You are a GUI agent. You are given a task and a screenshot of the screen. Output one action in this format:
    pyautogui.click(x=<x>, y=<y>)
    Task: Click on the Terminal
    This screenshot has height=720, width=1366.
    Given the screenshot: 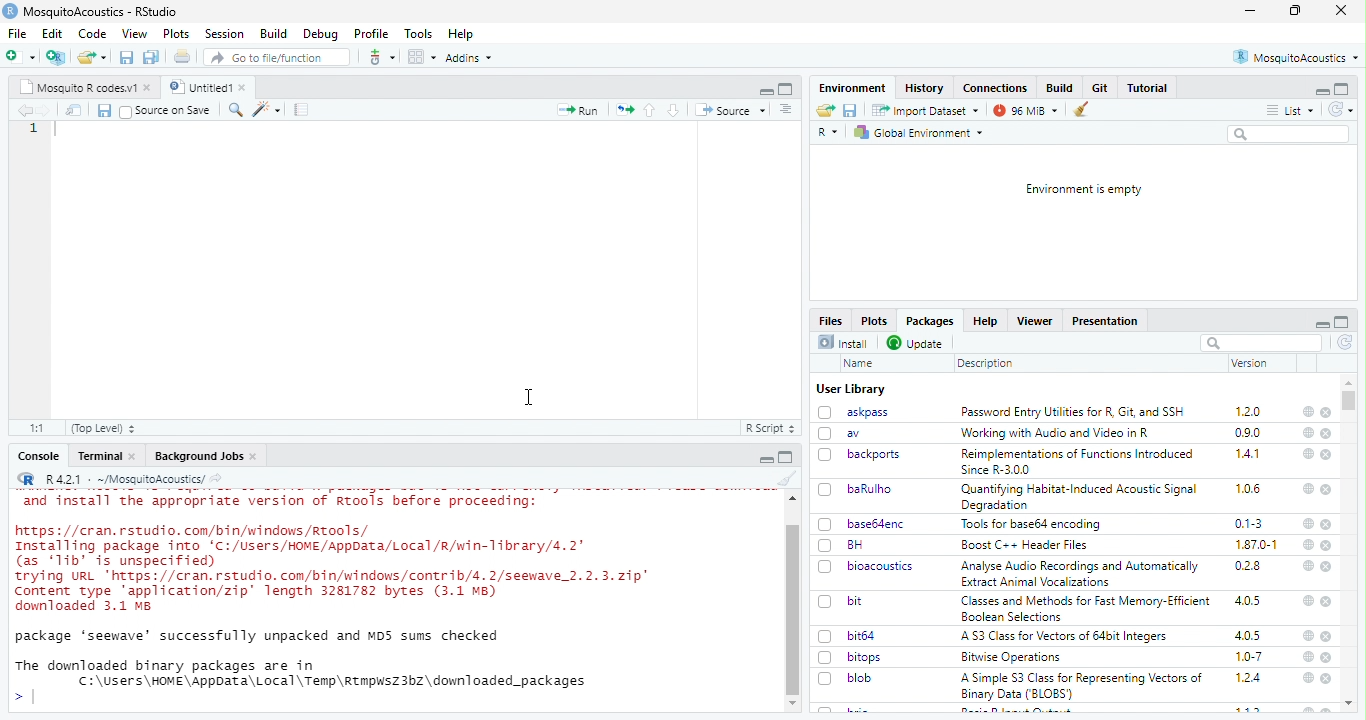 What is the action you would take?
    pyautogui.click(x=100, y=456)
    